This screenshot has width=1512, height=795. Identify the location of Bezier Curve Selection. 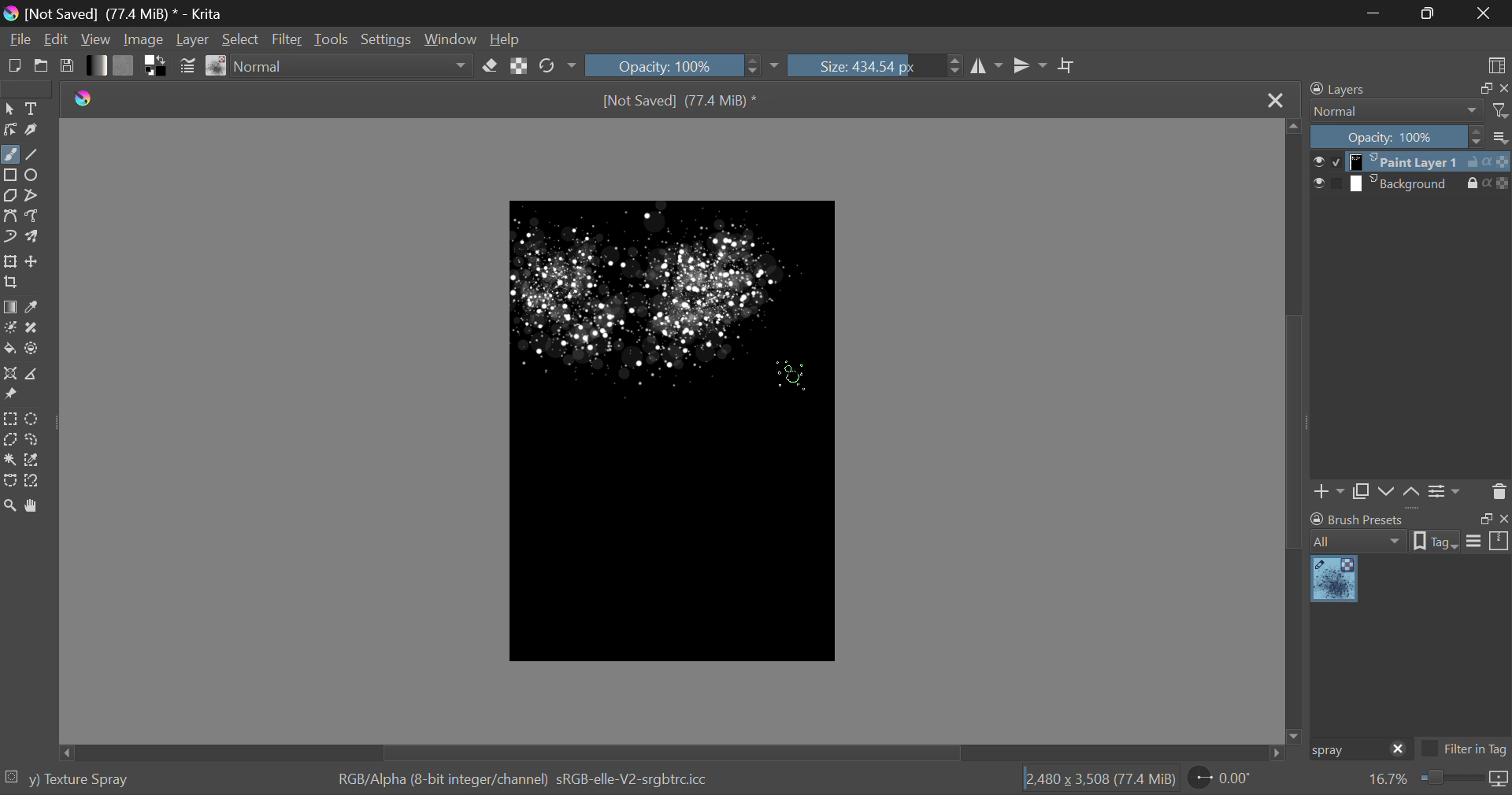
(11, 482).